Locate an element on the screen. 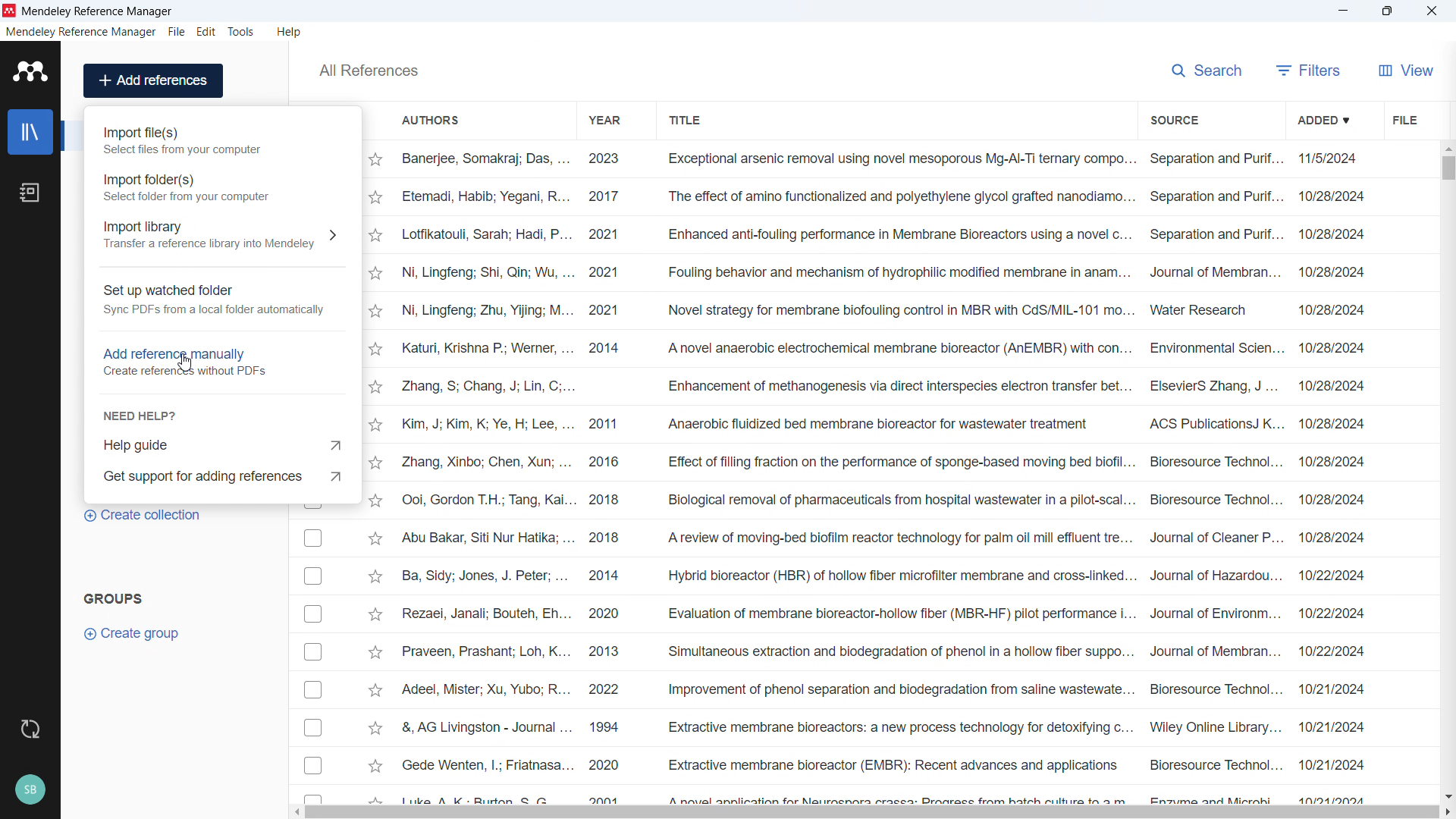 Image resolution: width=1456 pixels, height=819 pixels. Edit  is located at coordinates (207, 32).